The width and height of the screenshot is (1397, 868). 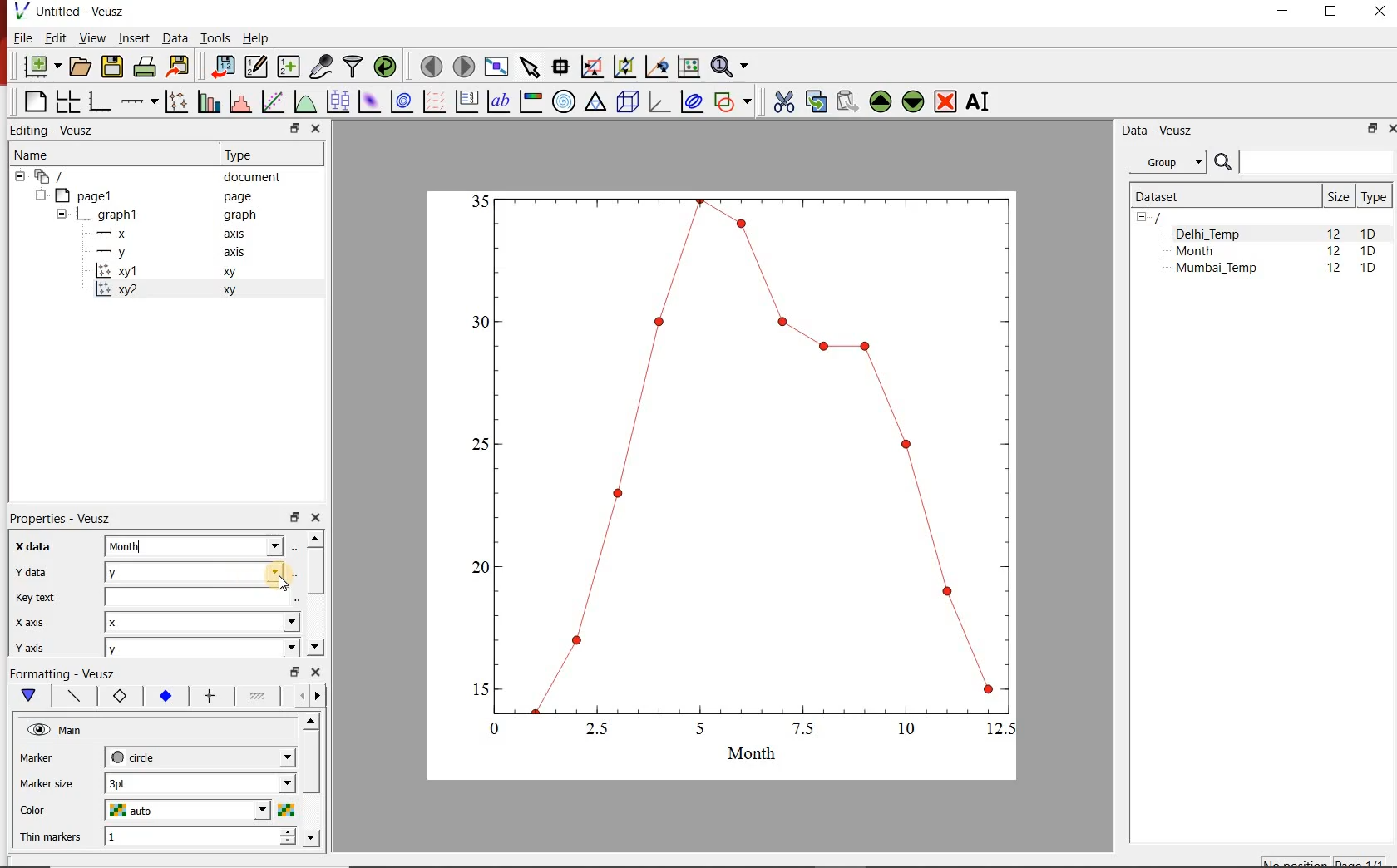 I want to click on plot box plots, so click(x=338, y=101).